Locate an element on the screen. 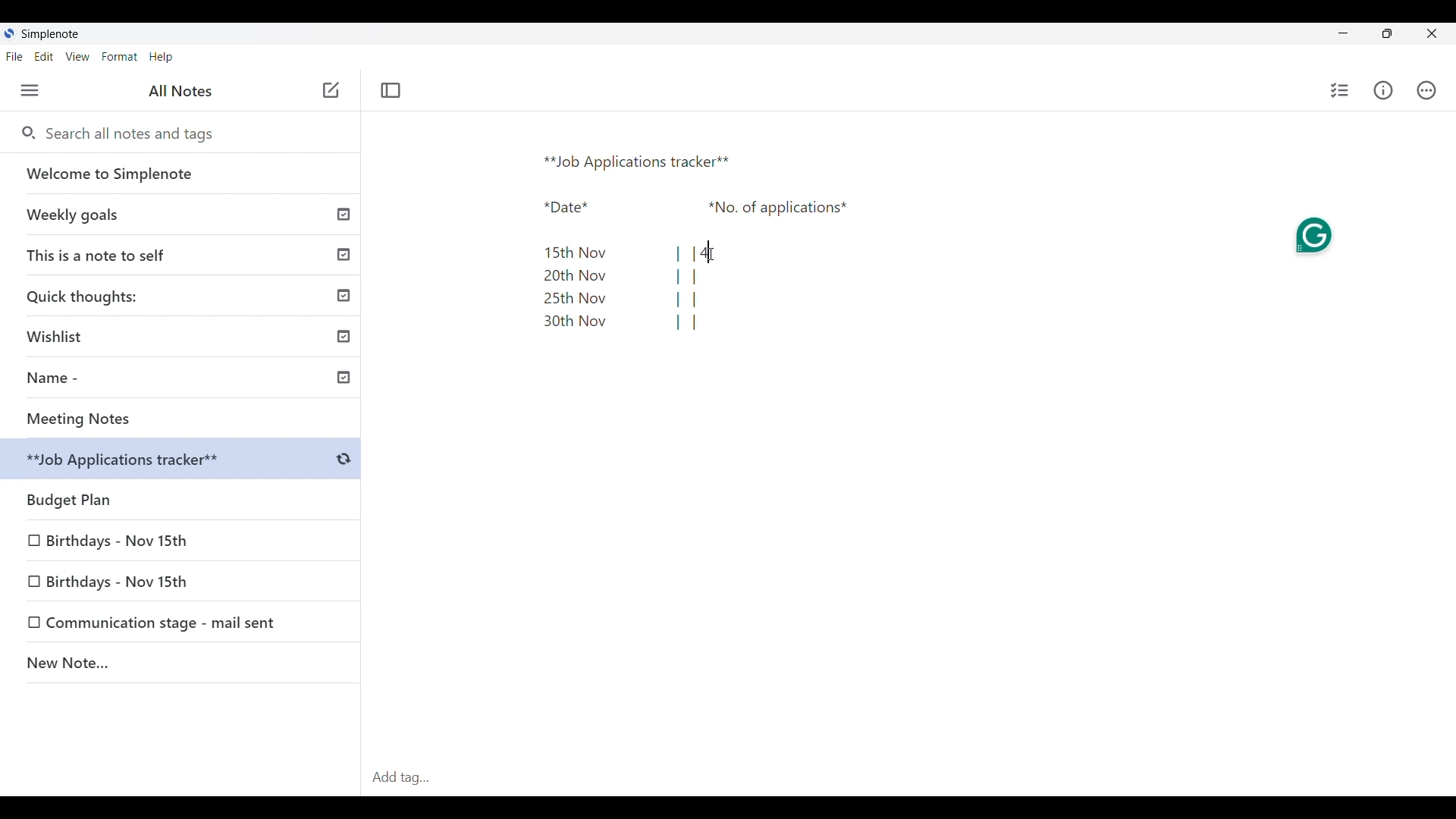 This screenshot has width=1456, height=819. Birthdays - Nov 15th is located at coordinates (119, 538).